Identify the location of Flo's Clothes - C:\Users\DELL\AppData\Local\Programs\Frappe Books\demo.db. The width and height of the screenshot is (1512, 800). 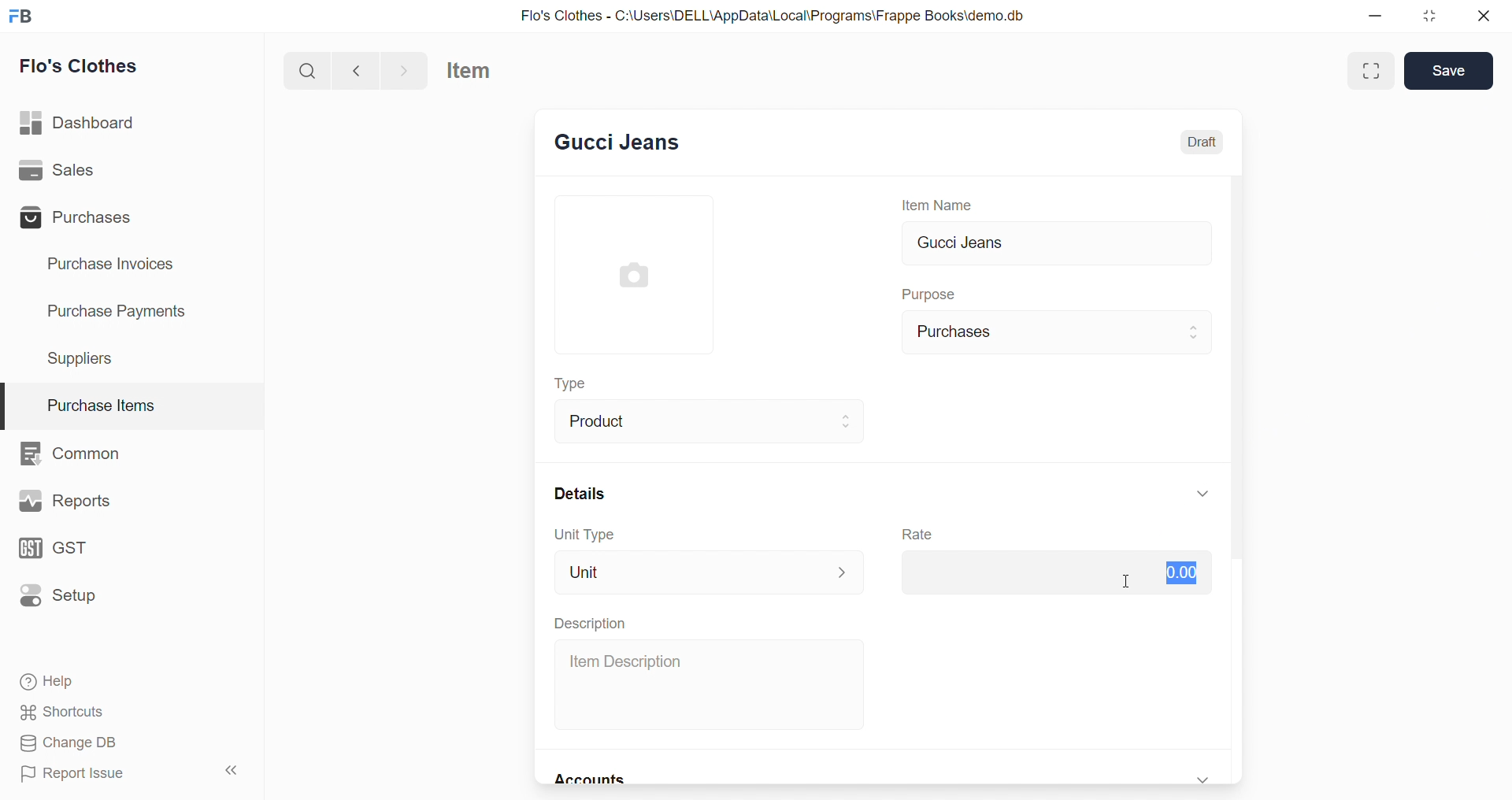
(773, 14).